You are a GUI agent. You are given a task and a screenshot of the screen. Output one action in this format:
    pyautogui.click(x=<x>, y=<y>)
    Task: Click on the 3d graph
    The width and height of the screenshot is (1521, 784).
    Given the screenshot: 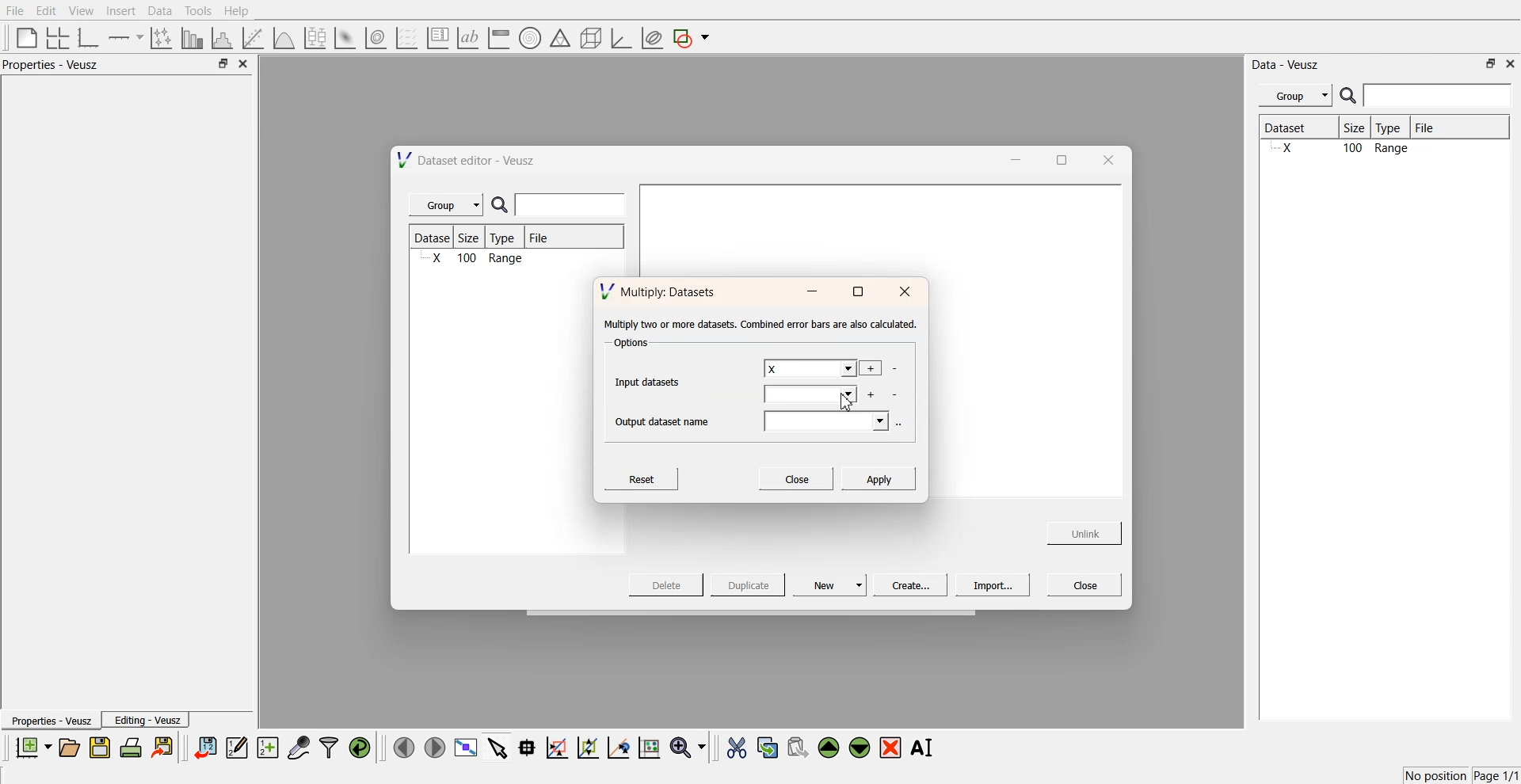 What is the action you would take?
    pyautogui.click(x=620, y=39)
    